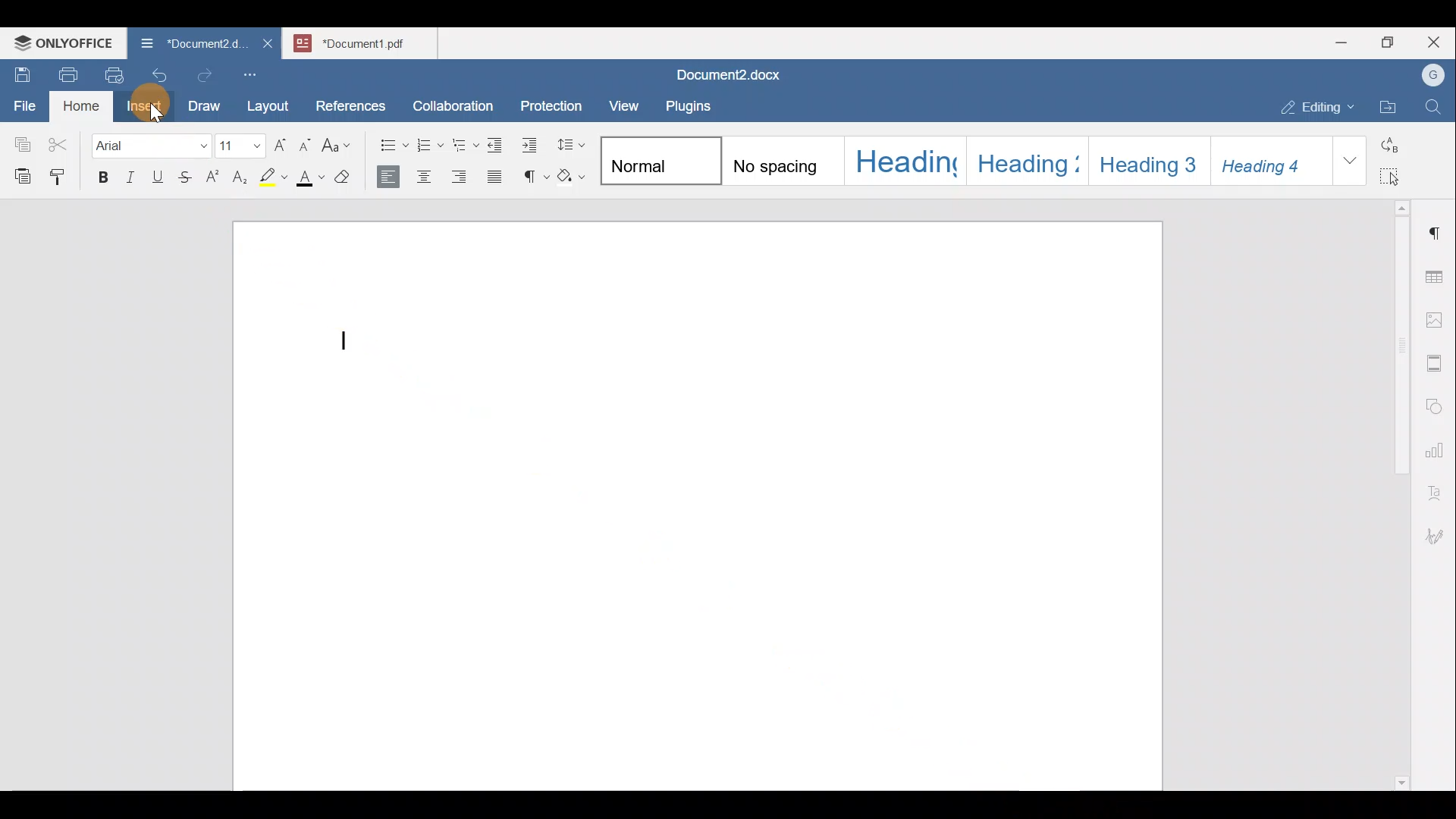  Describe the element at coordinates (1439, 531) in the screenshot. I see `Signature settings` at that location.